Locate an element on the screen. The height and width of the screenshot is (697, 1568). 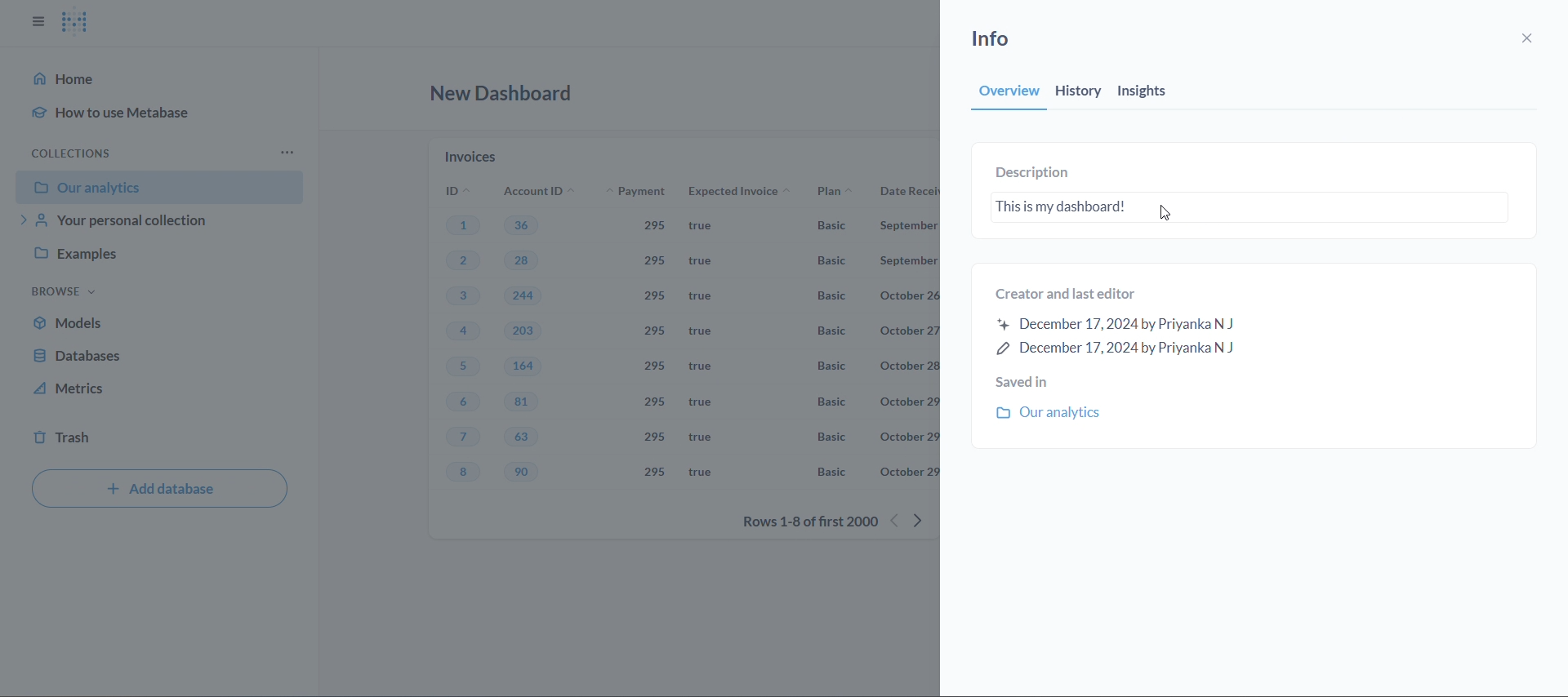
home is located at coordinates (70, 80).